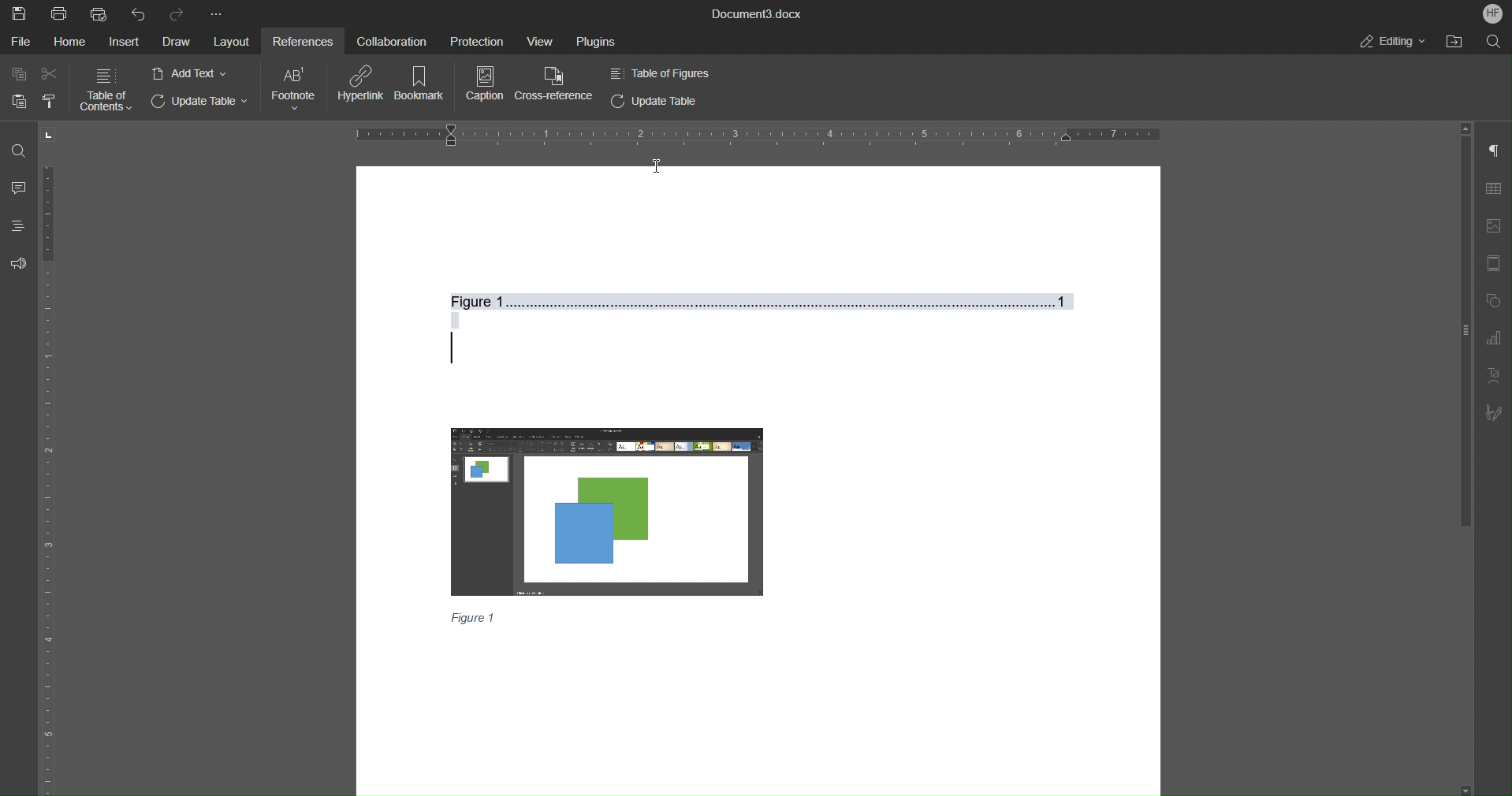 This screenshot has width=1512, height=796. What do you see at coordinates (1496, 377) in the screenshot?
I see `Text Art` at bounding box center [1496, 377].